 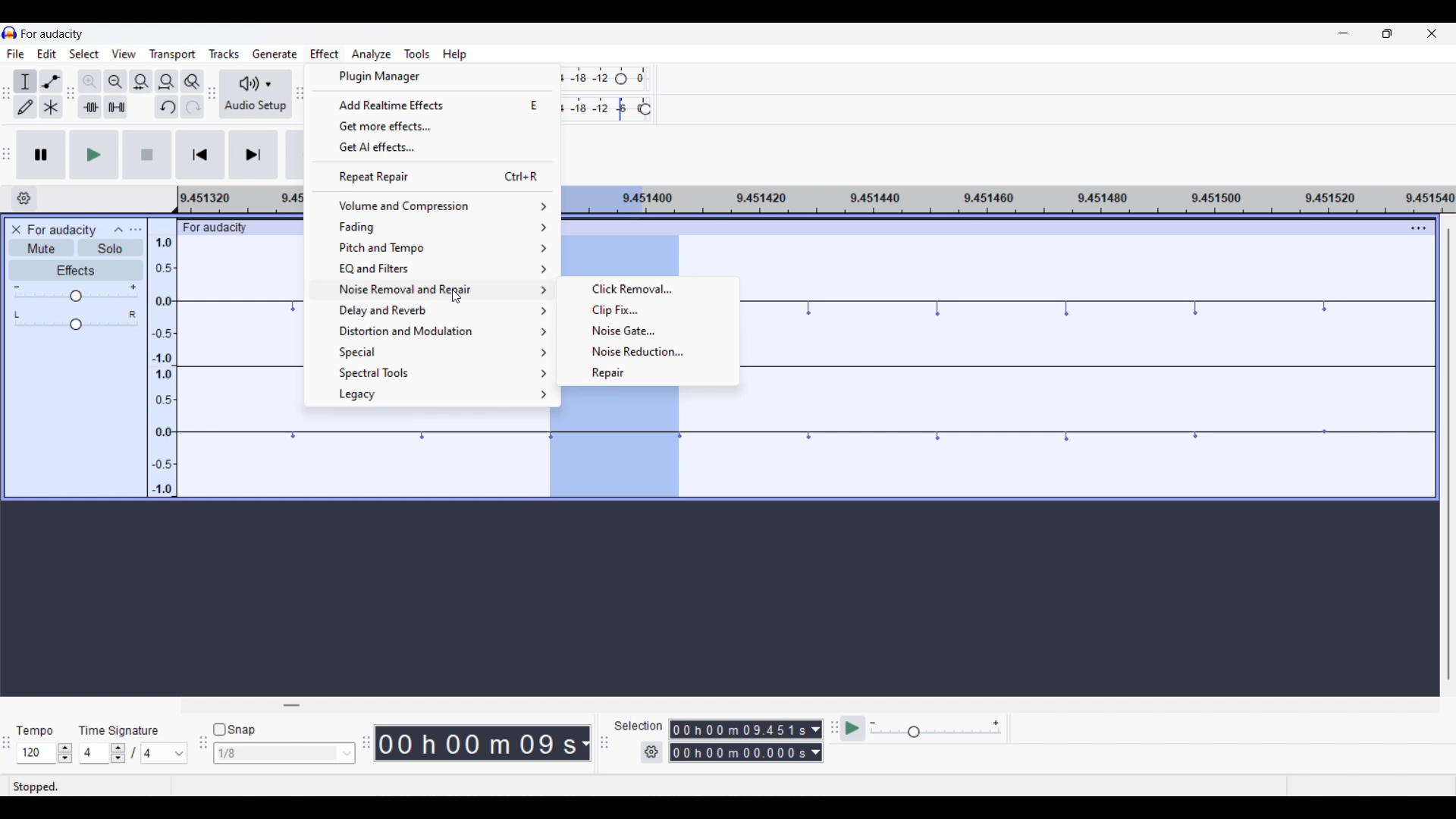 What do you see at coordinates (651, 752) in the screenshot?
I see `Selection settings` at bounding box center [651, 752].